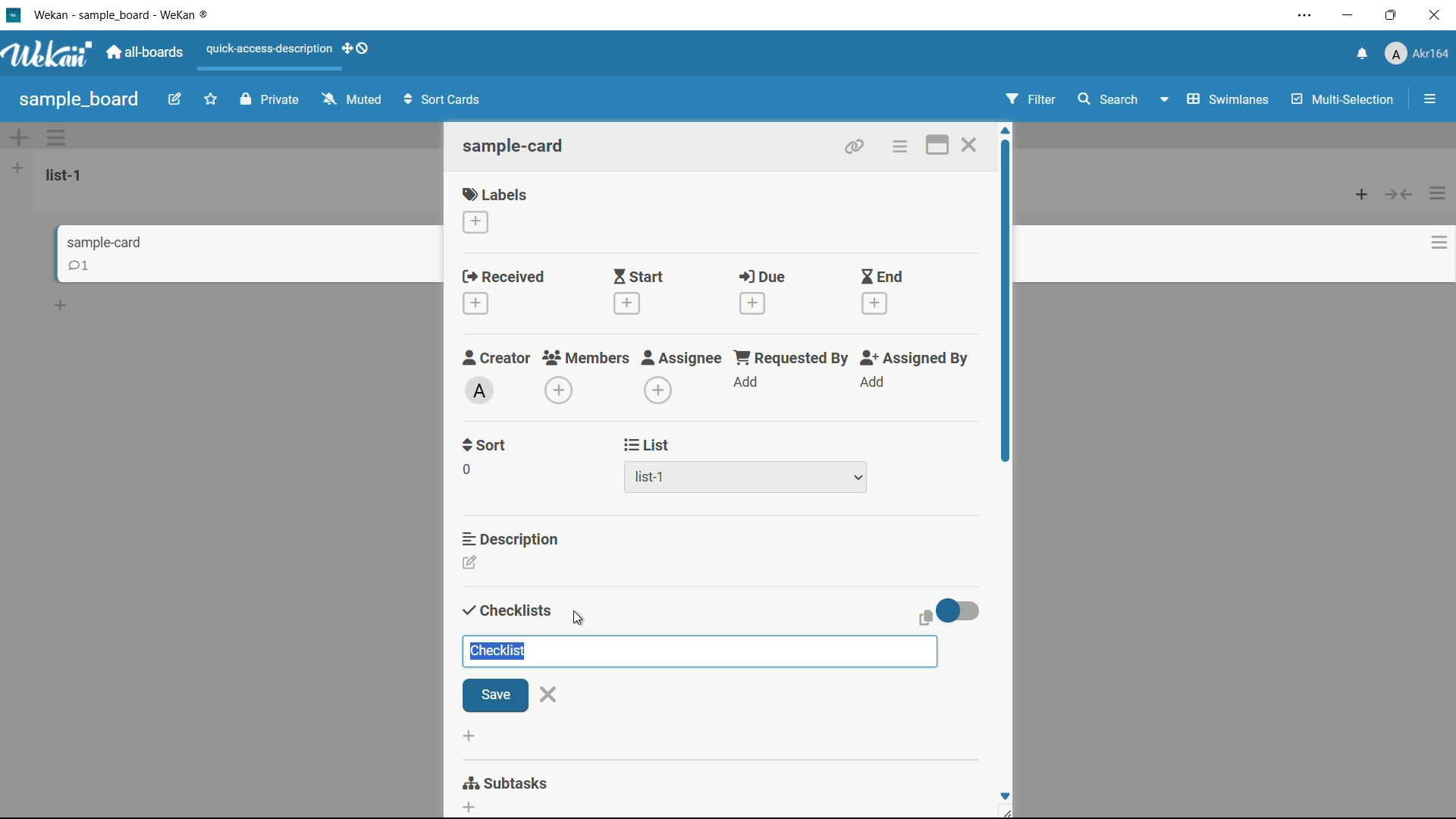  I want to click on labels, so click(497, 193).